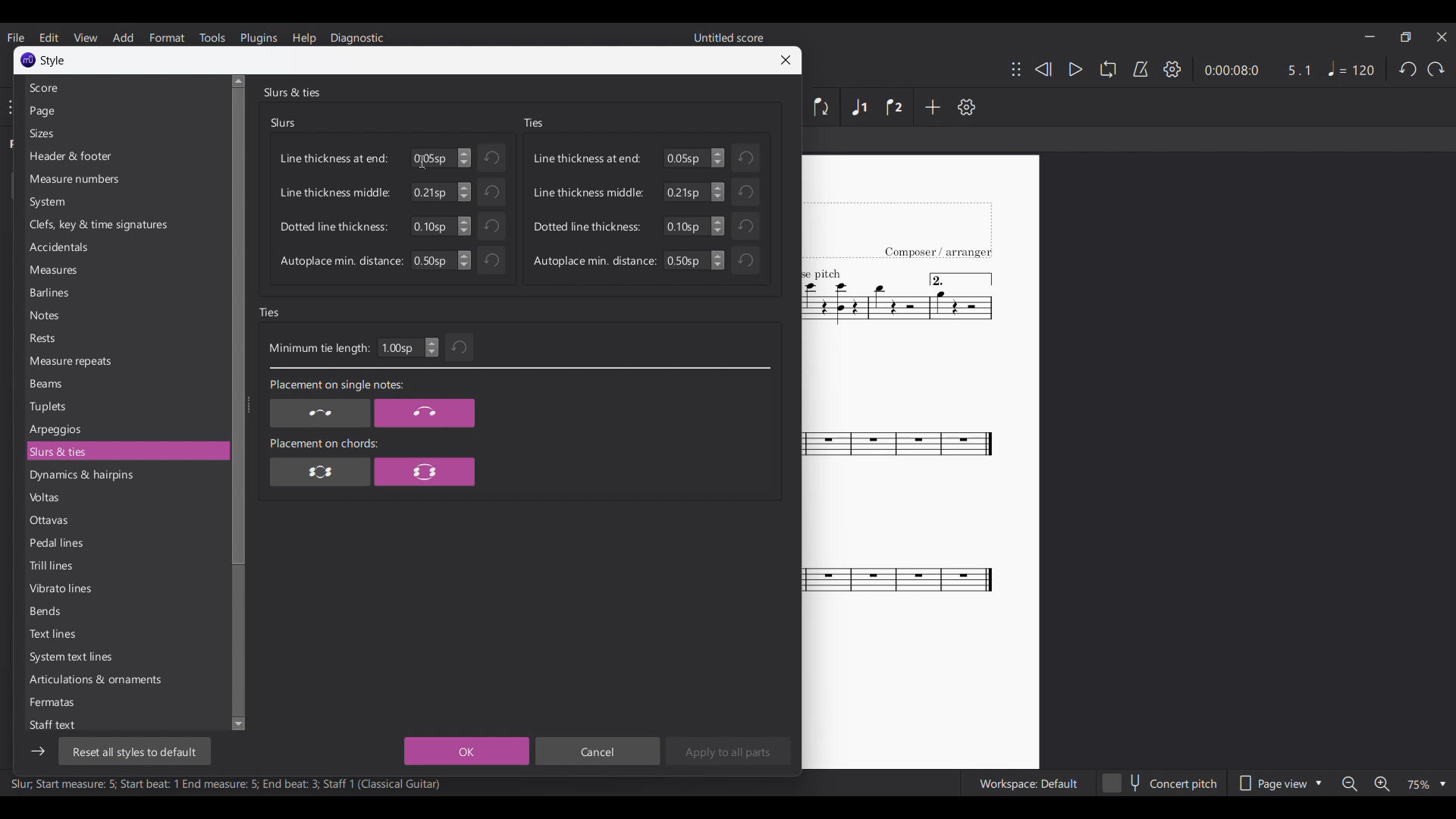 The height and width of the screenshot is (819, 1456). What do you see at coordinates (933, 107) in the screenshot?
I see `Add` at bounding box center [933, 107].